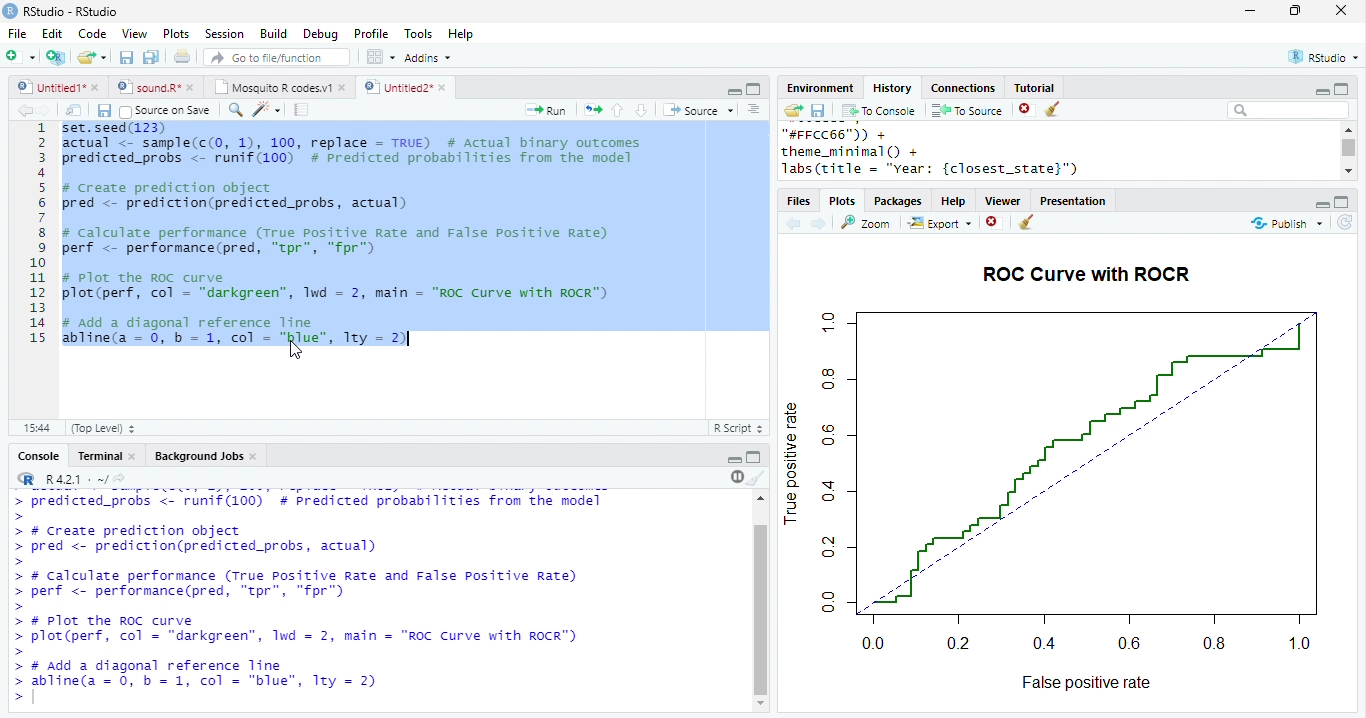 The image size is (1366, 718). I want to click on sound.R, so click(149, 87).